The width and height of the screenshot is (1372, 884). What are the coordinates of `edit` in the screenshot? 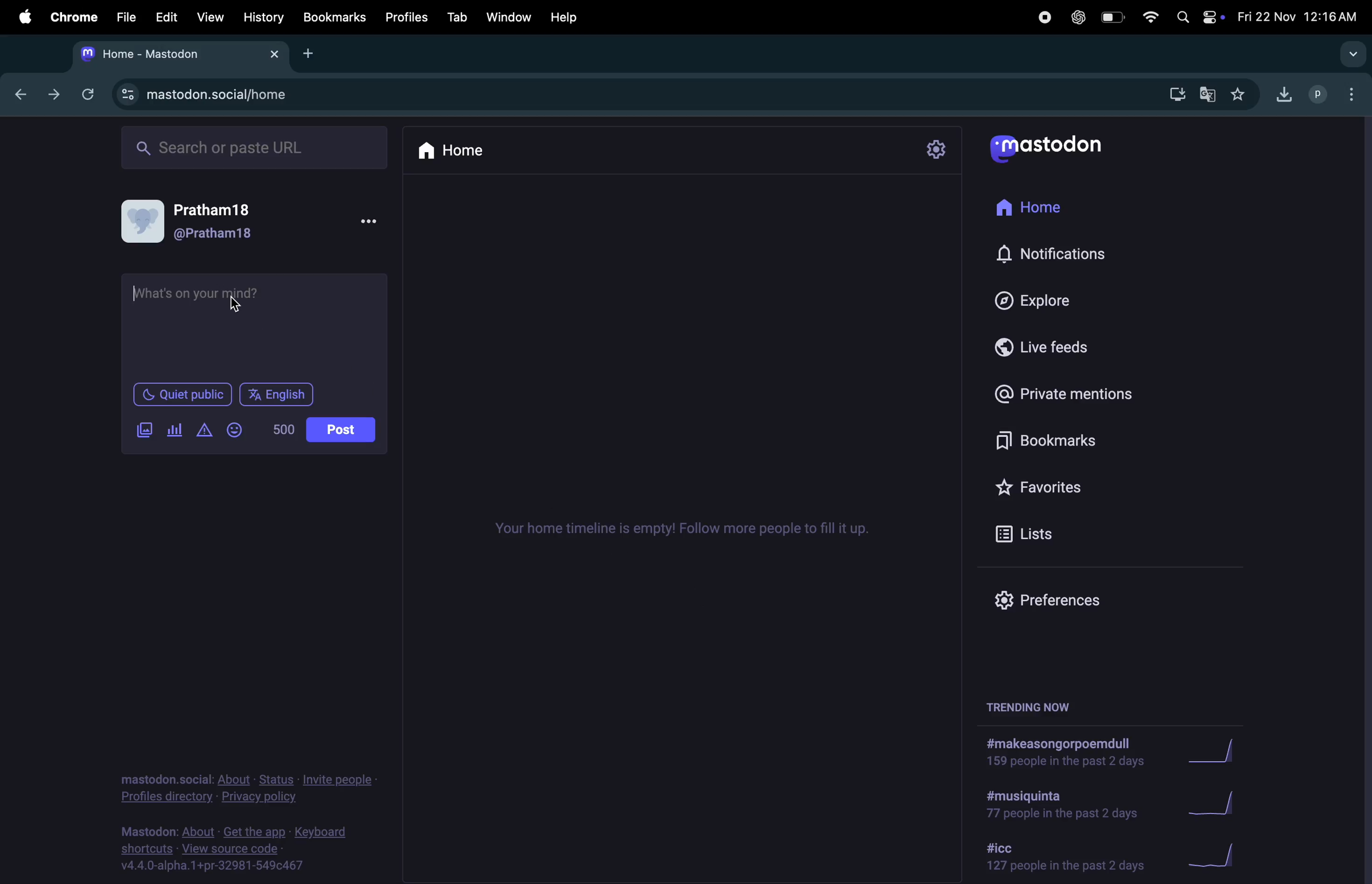 It's located at (166, 17).